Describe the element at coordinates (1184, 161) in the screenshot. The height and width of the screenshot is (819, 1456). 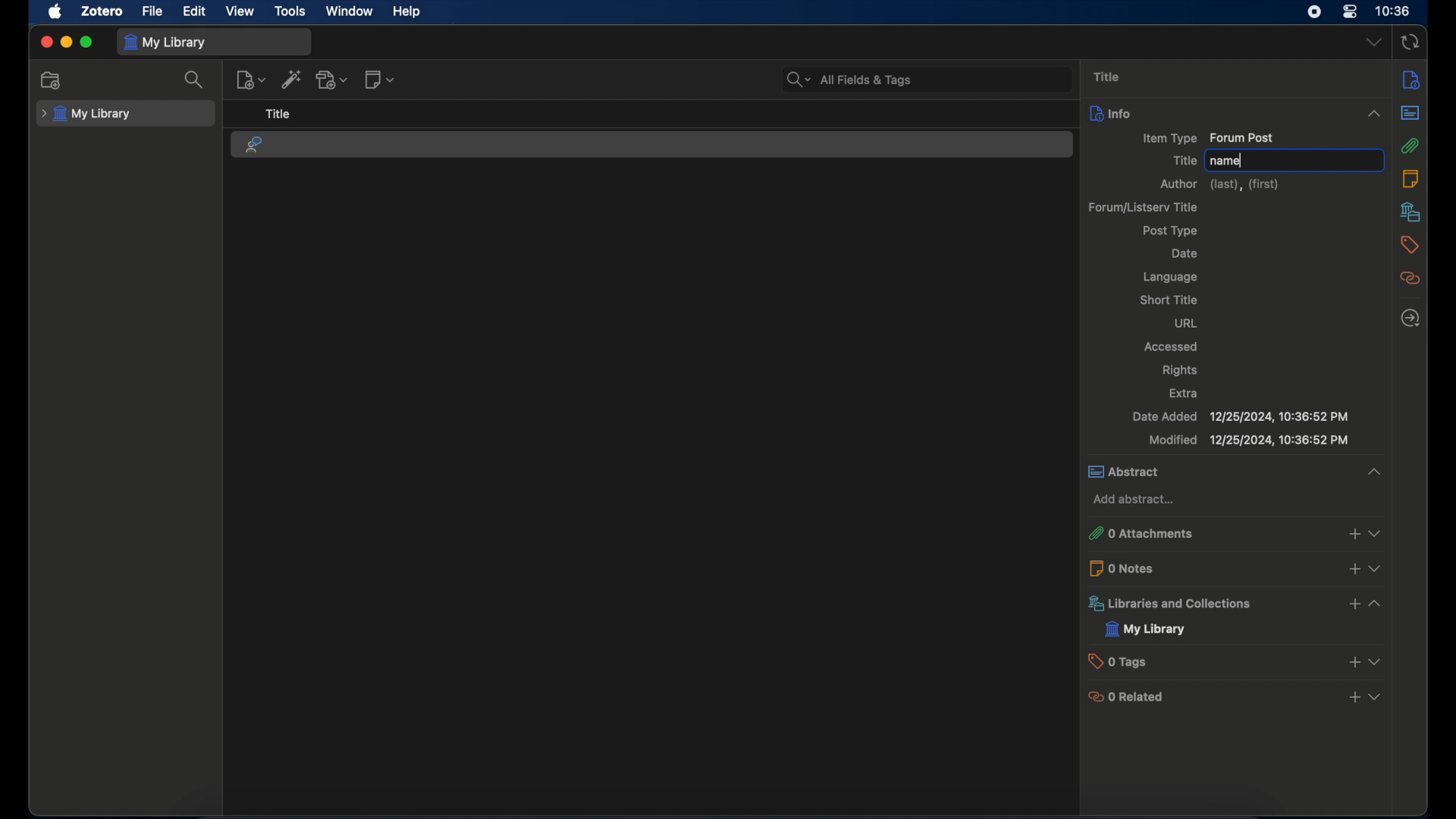
I see `title` at that location.